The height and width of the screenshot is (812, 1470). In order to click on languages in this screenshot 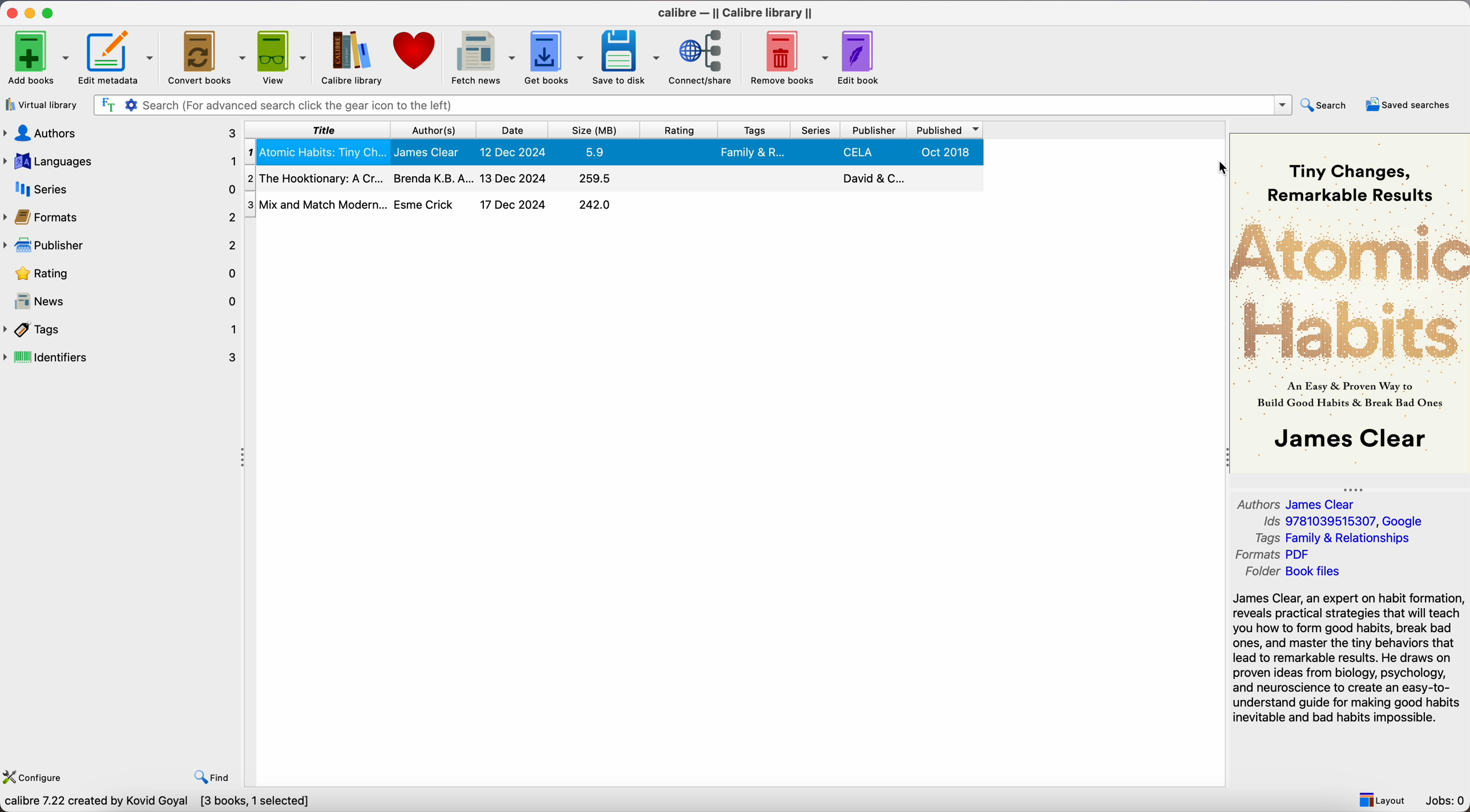, I will do `click(120, 160)`.